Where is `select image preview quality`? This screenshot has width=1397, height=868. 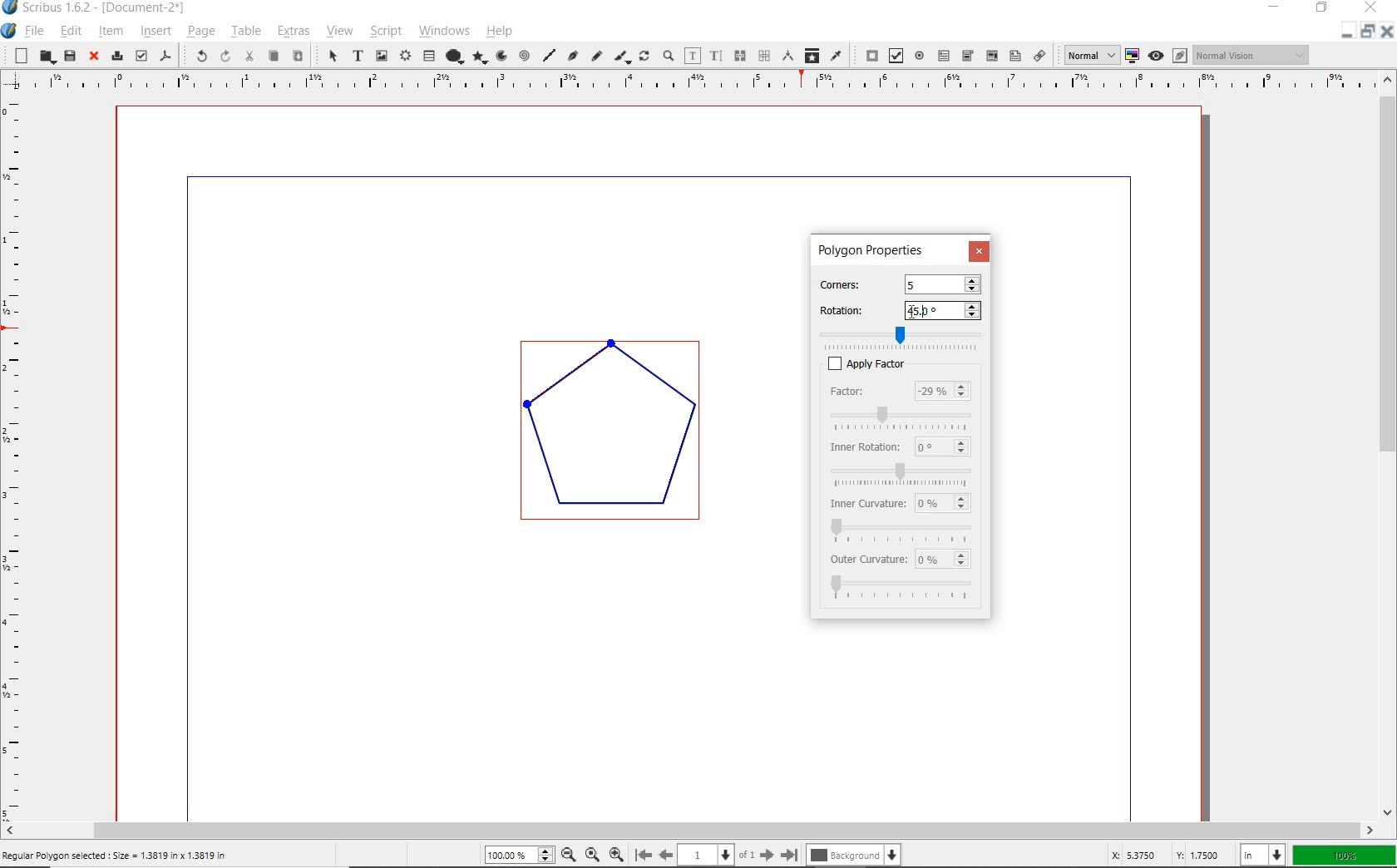
select image preview quality is located at coordinates (1086, 55).